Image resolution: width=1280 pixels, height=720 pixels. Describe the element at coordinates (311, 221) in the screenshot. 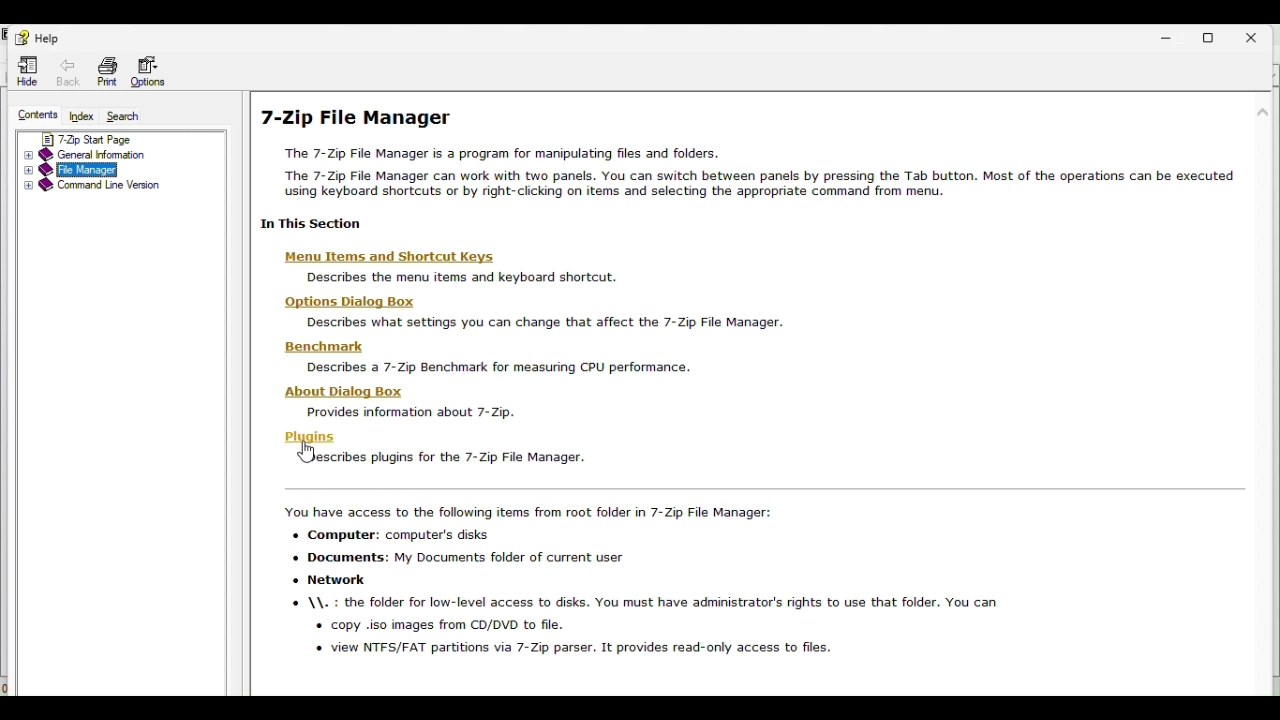

I see `| 1n This Section` at that location.